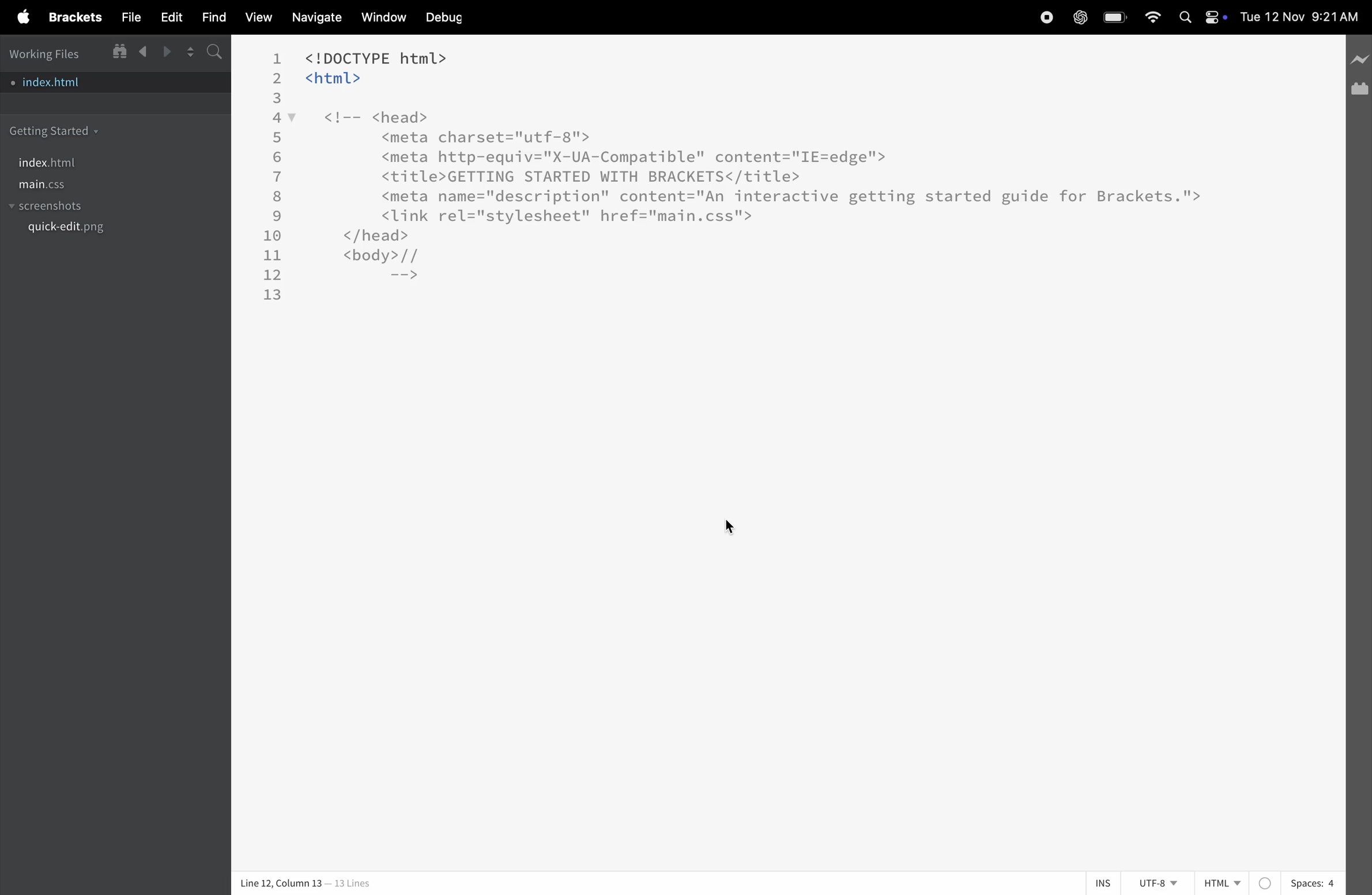  What do you see at coordinates (314, 19) in the screenshot?
I see `navigate` at bounding box center [314, 19].